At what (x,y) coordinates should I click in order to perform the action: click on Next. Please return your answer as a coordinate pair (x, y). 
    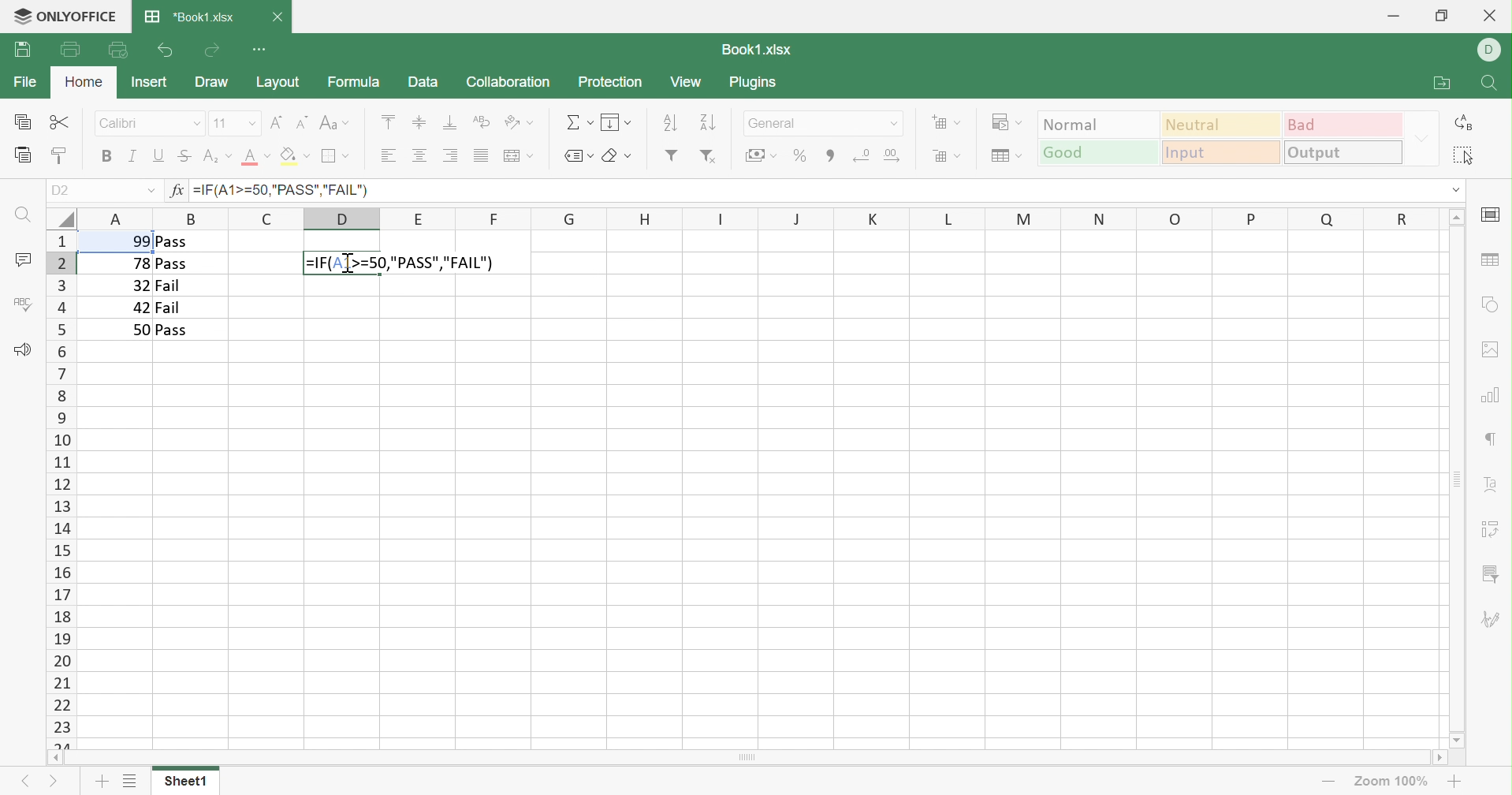
    Looking at the image, I should click on (24, 782).